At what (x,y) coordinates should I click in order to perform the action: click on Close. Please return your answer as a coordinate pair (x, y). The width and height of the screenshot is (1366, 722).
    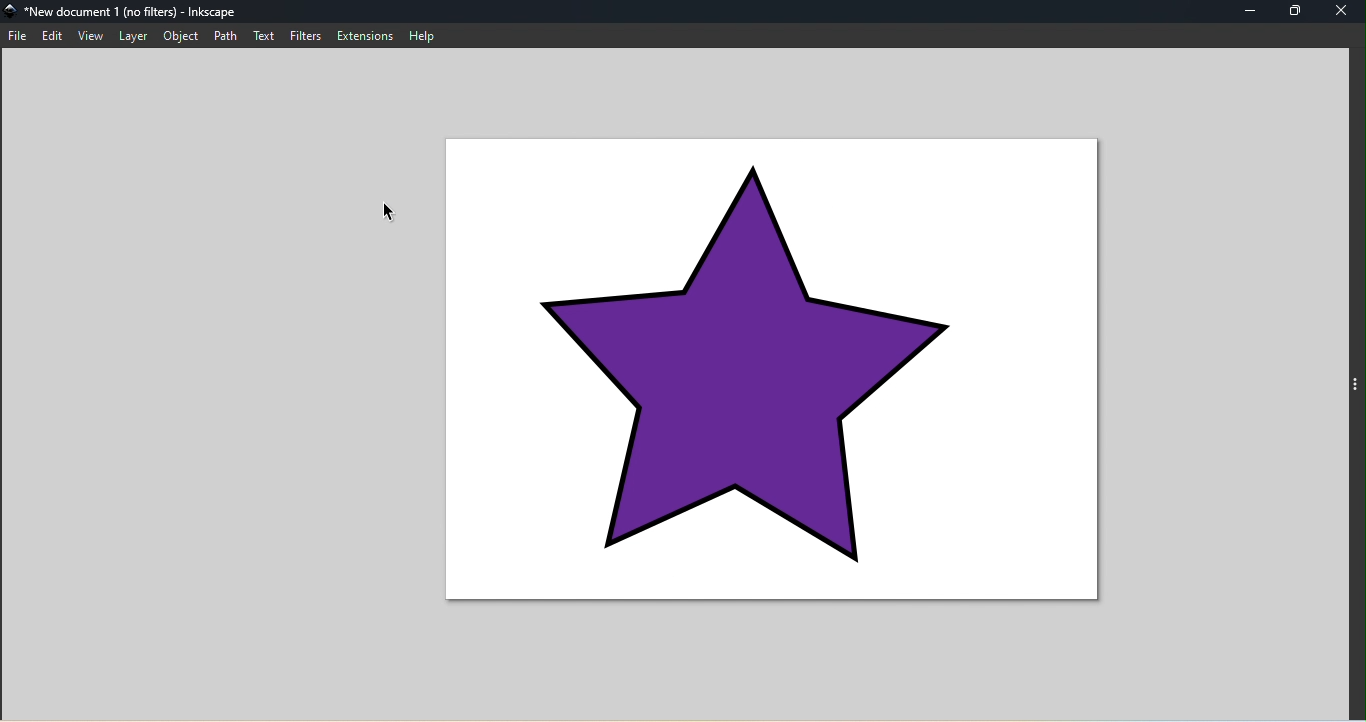
    Looking at the image, I should click on (1345, 11).